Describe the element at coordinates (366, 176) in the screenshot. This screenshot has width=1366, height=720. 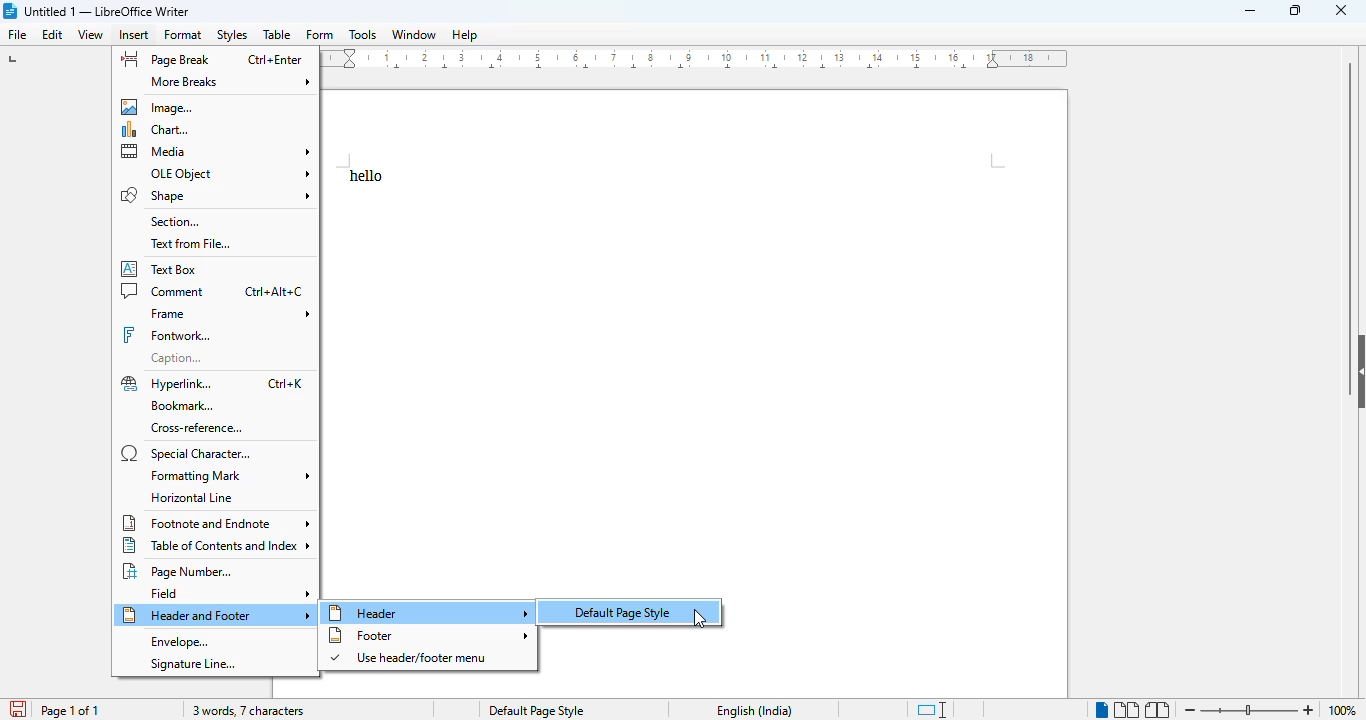
I see `text` at that location.